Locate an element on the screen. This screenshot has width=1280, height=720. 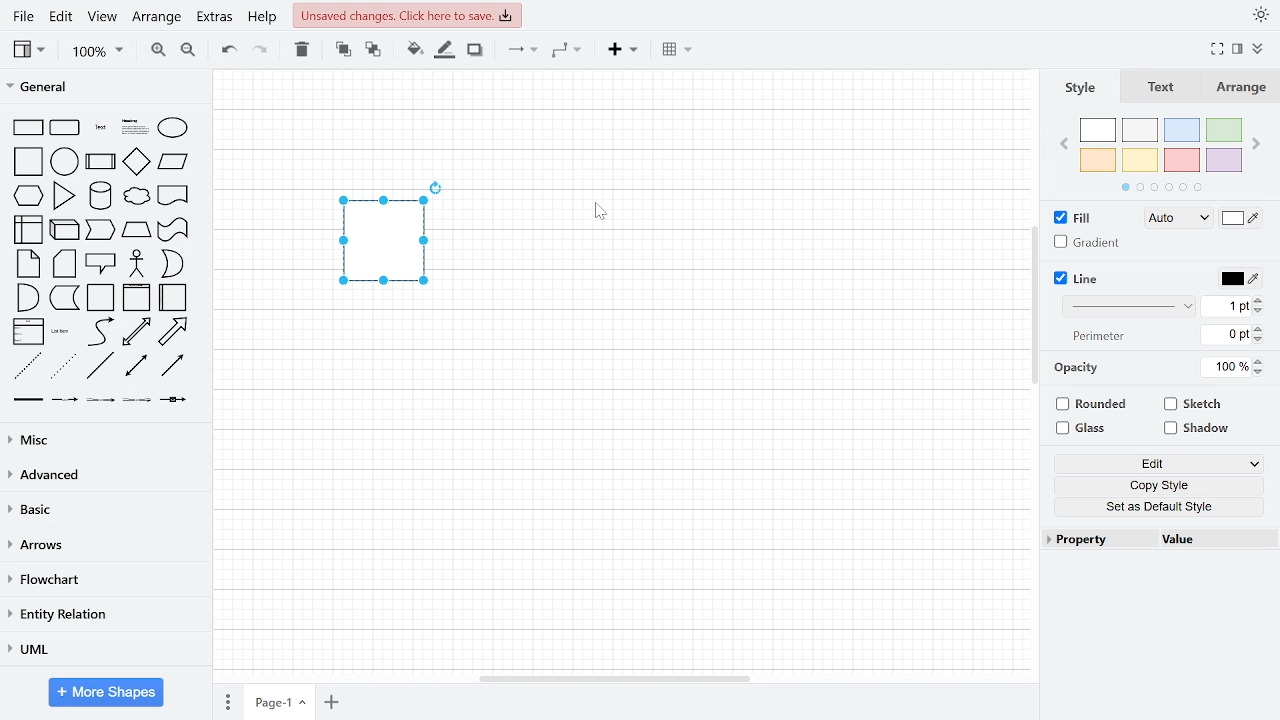
parallelogram is located at coordinates (173, 163).